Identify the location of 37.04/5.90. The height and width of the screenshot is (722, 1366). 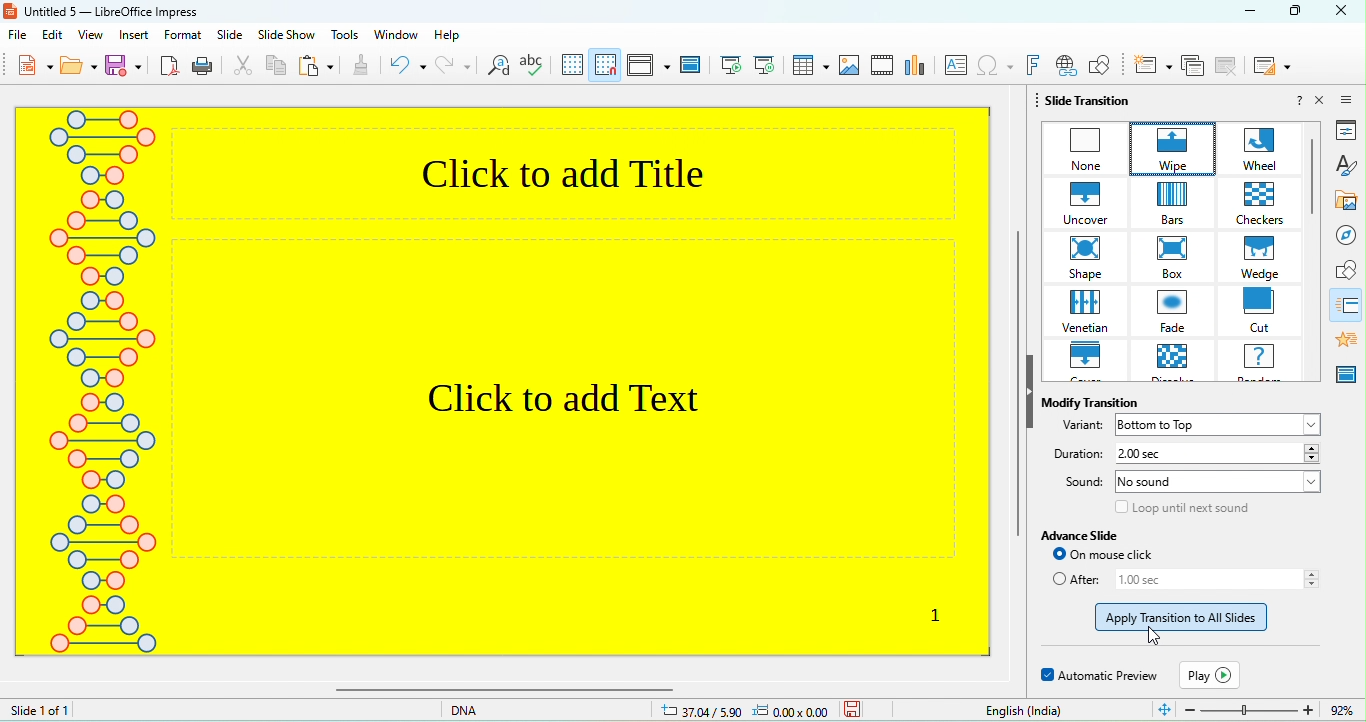
(702, 709).